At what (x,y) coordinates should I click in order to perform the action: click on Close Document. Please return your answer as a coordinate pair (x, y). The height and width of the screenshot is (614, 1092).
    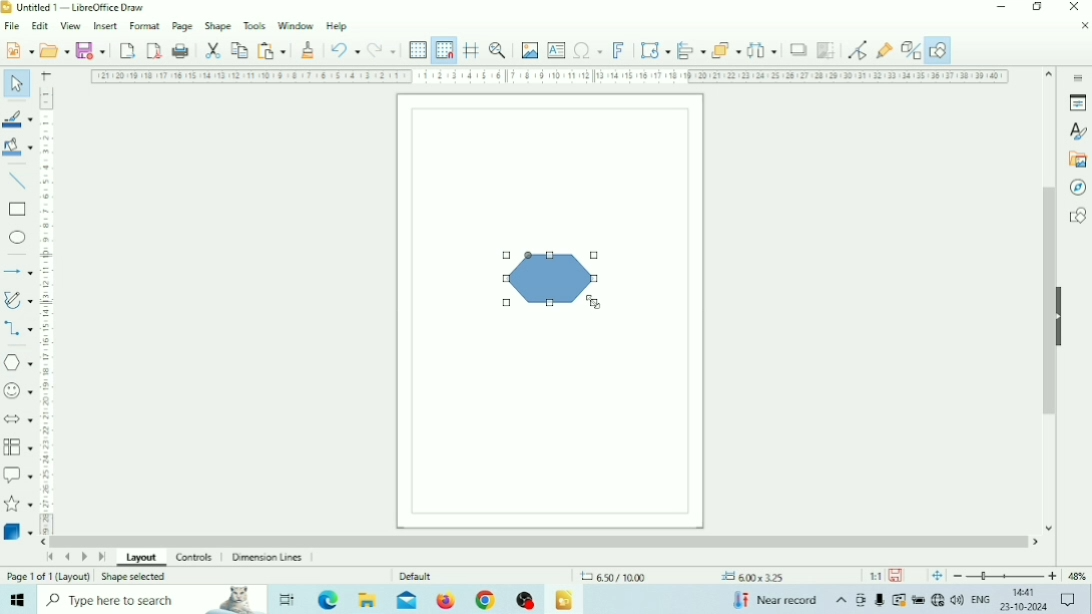
    Looking at the image, I should click on (1084, 25).